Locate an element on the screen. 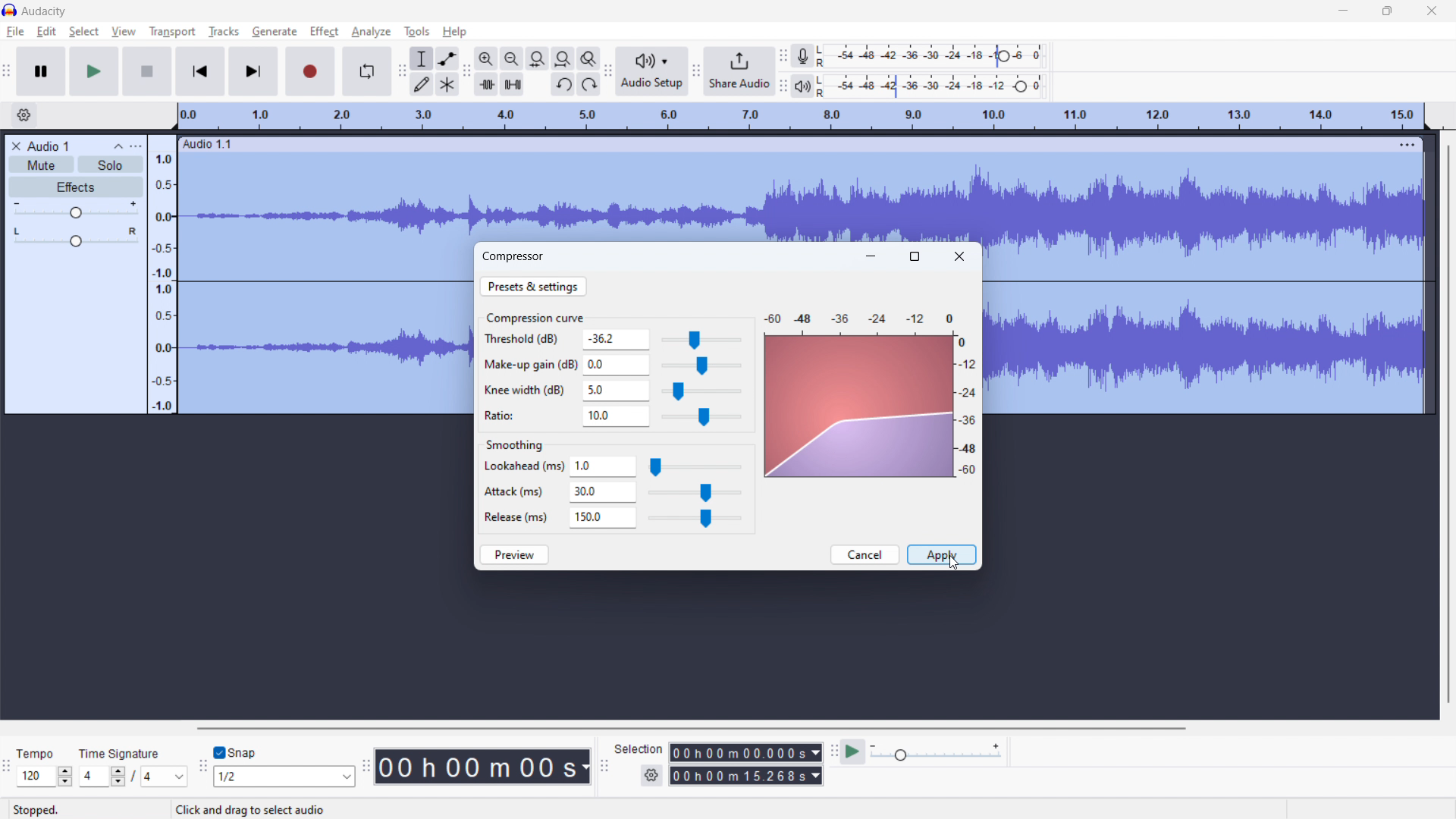 This screenshot has height=819, width=1456.  Lookahead (ms) is located at coordinates (523, 467).